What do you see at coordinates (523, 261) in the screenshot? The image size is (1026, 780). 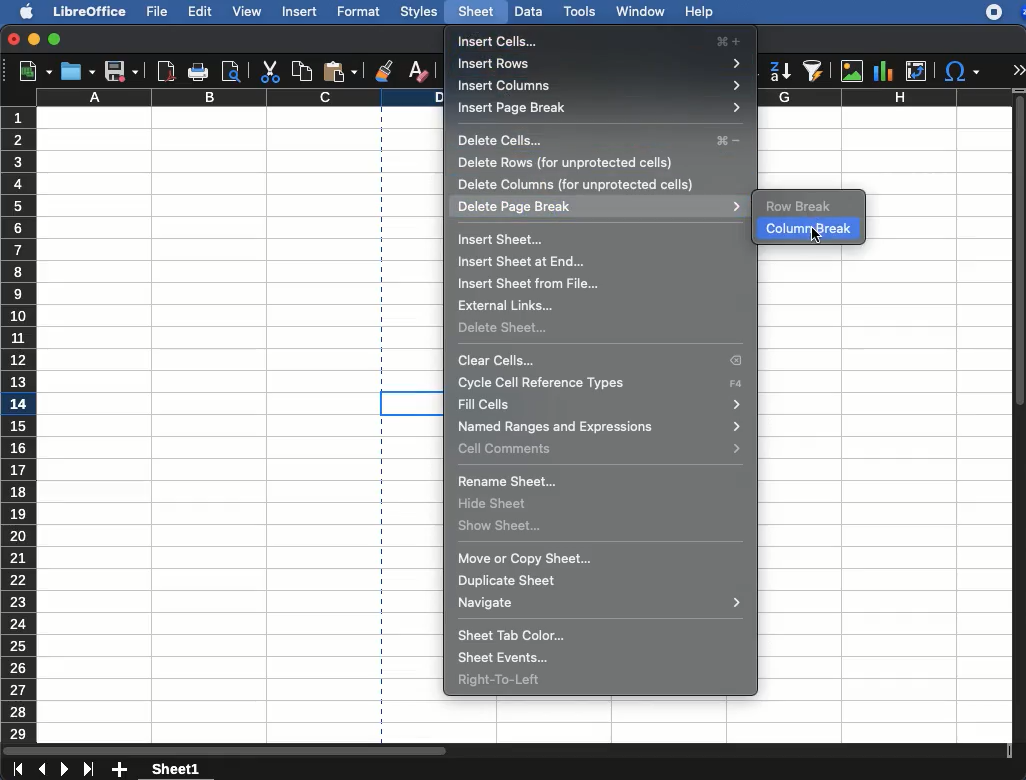 I see `insert sheet at end` at bounding box center [523, 261].